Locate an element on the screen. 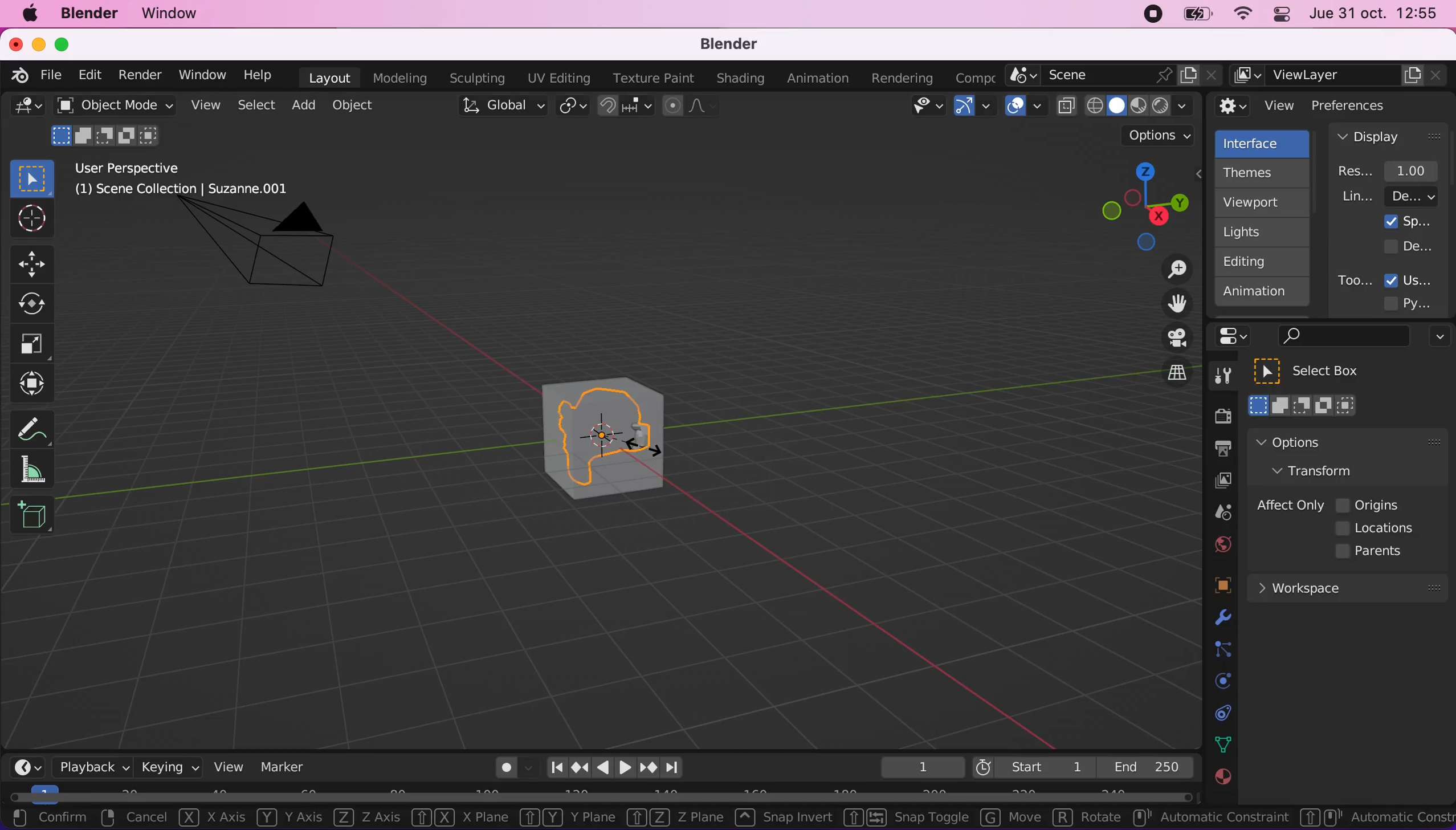  jump to keyframe is located at coordinates (649, 770).